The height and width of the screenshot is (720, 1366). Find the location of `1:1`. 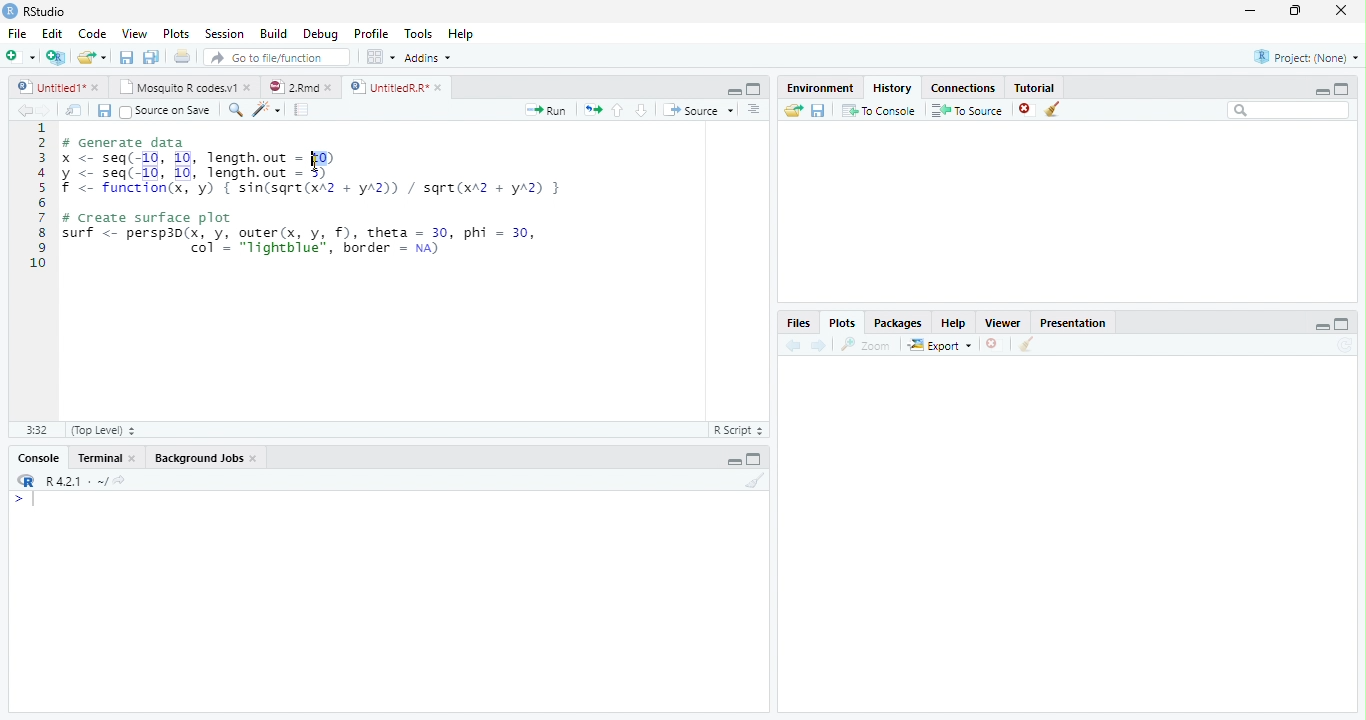

1:1 is located at coordinates (37, 430).